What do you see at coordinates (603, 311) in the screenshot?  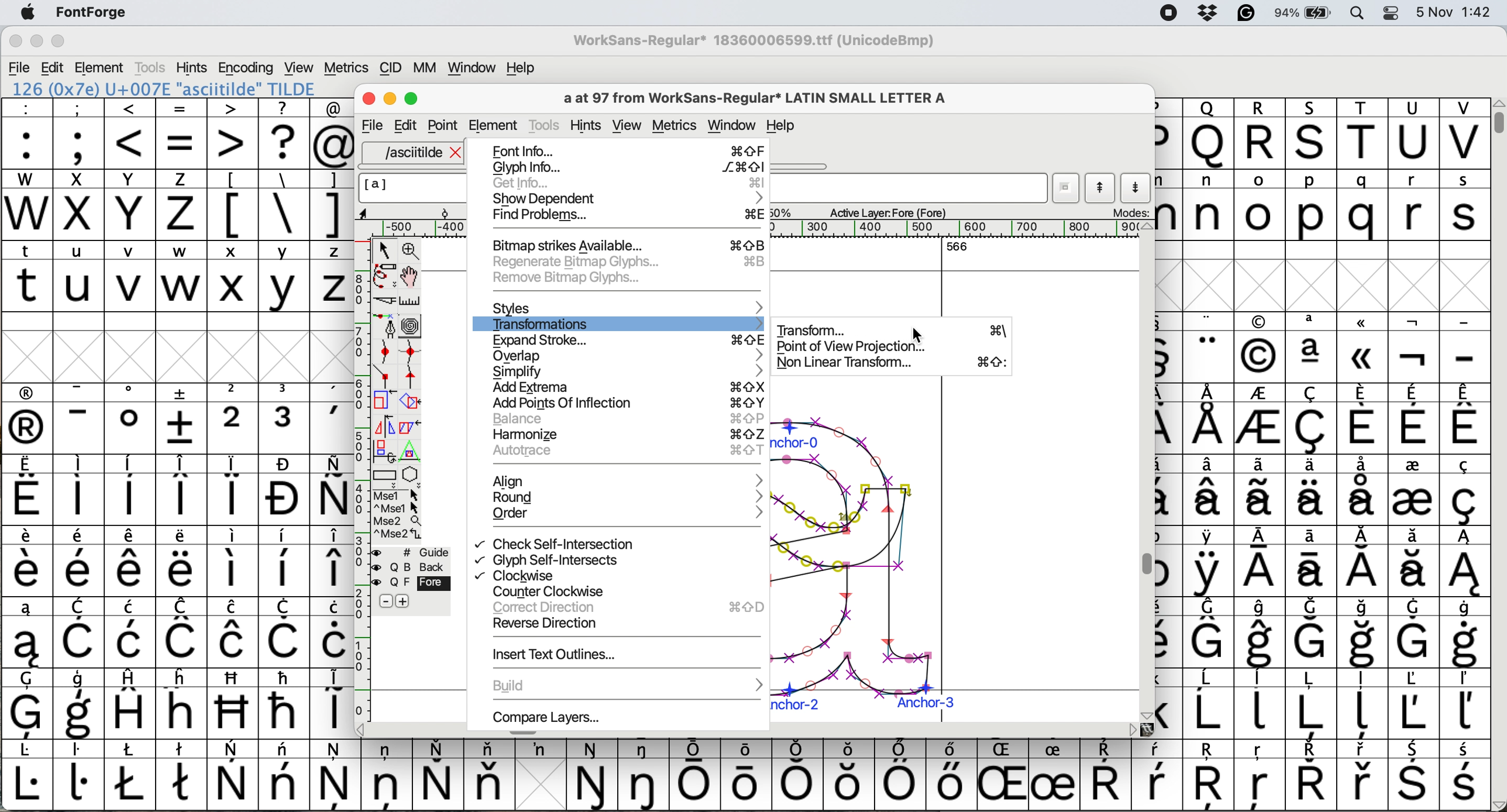 I see `styles` at bounding box center [603, 311].